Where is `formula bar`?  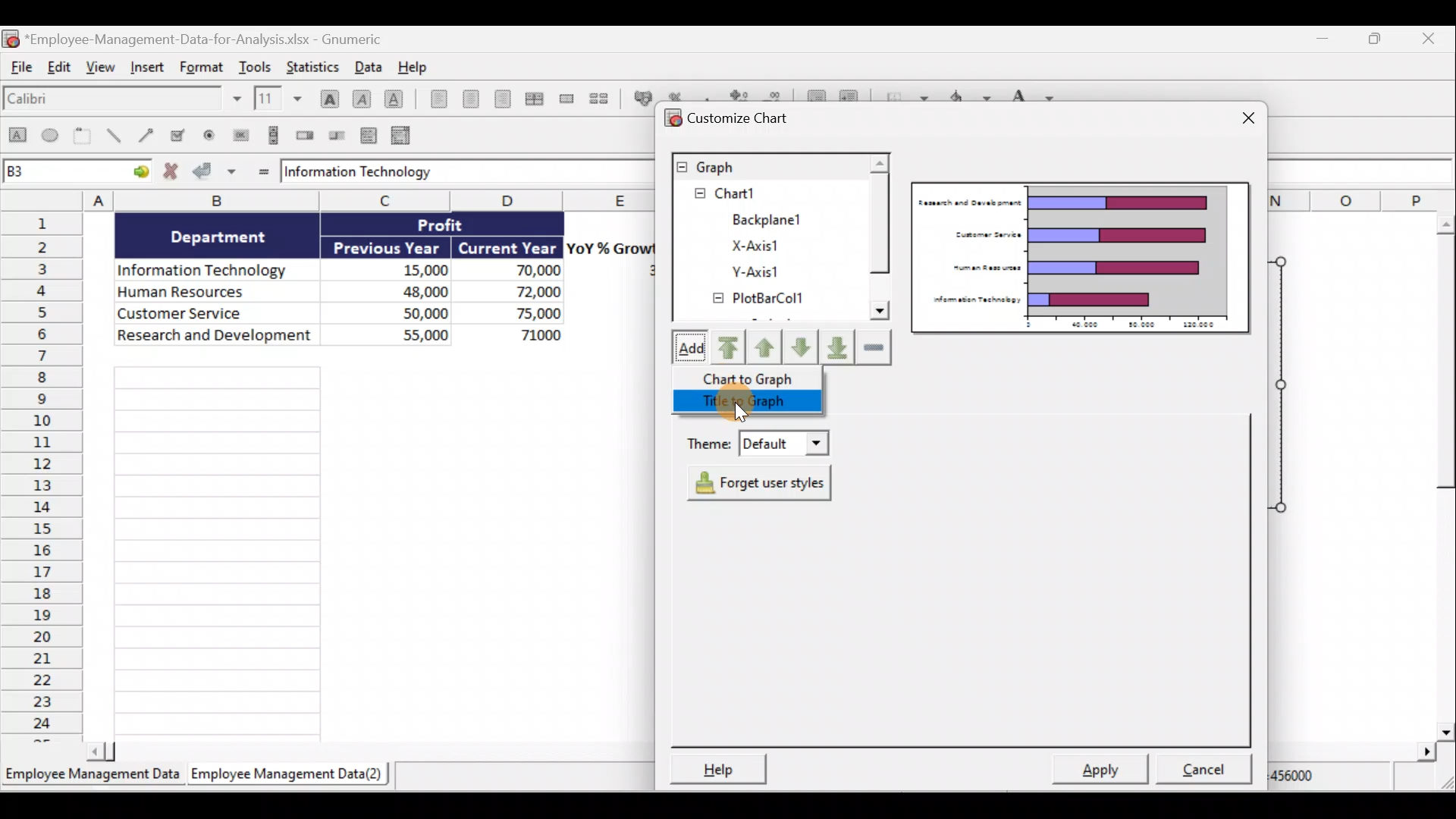 formula bar is located at coordinates (448, 171).